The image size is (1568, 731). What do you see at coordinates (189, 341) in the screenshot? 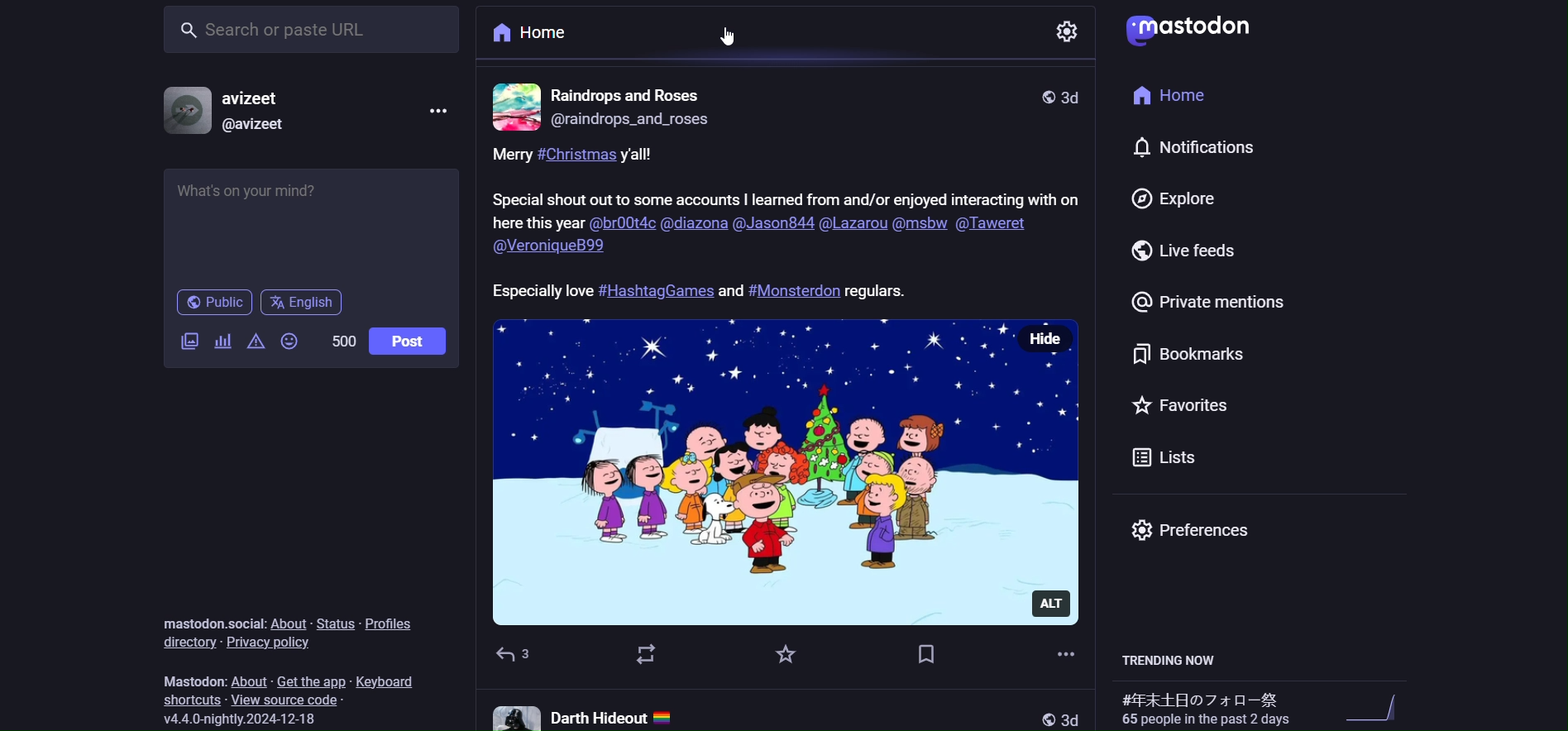
I see `image/video` at bounding box center [189, 341].